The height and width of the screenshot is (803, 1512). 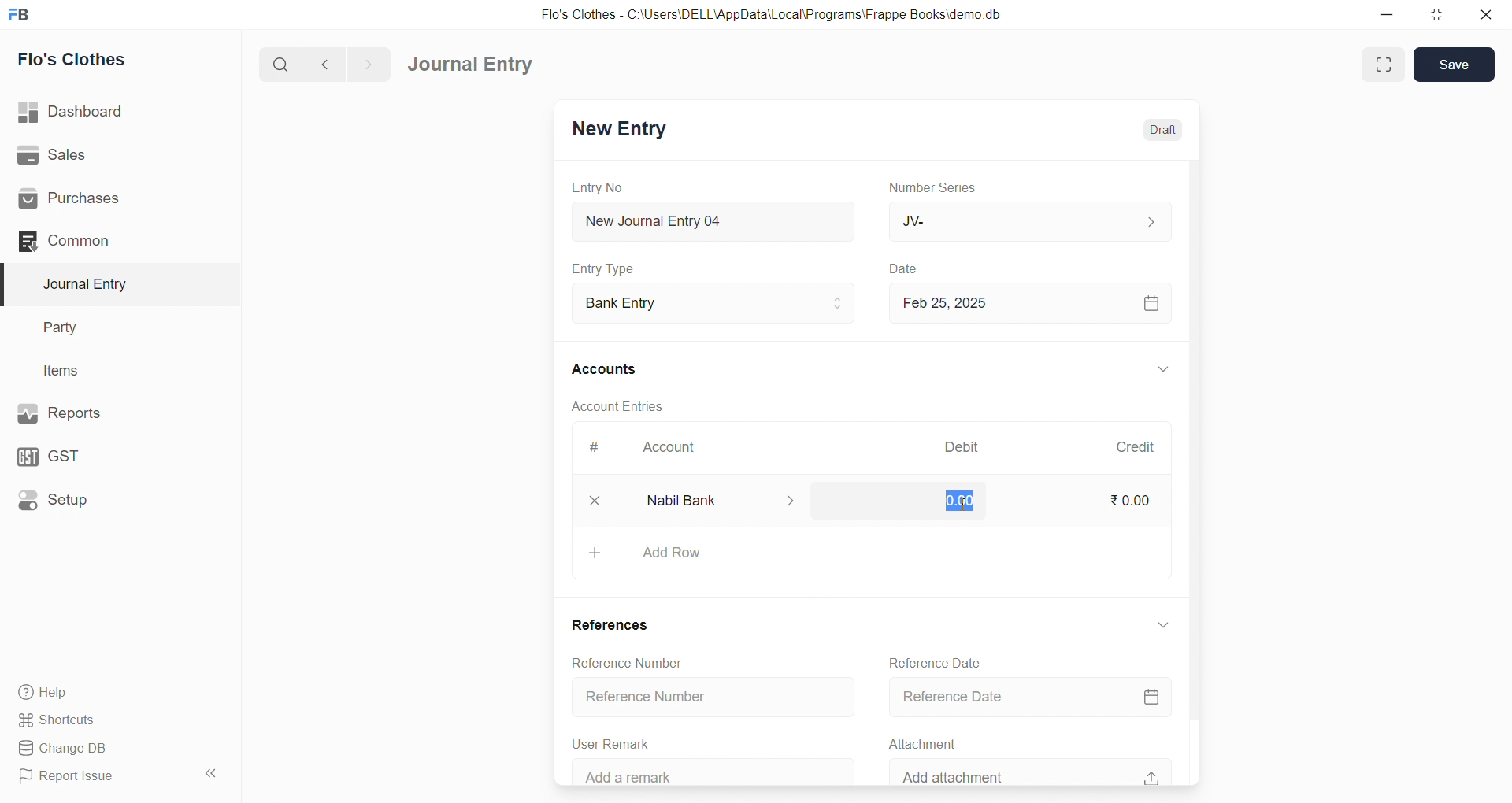 What do you see at coordinates (915, 742) in the screenshot?
I see `Attachment` at bounding box center [915, 742].